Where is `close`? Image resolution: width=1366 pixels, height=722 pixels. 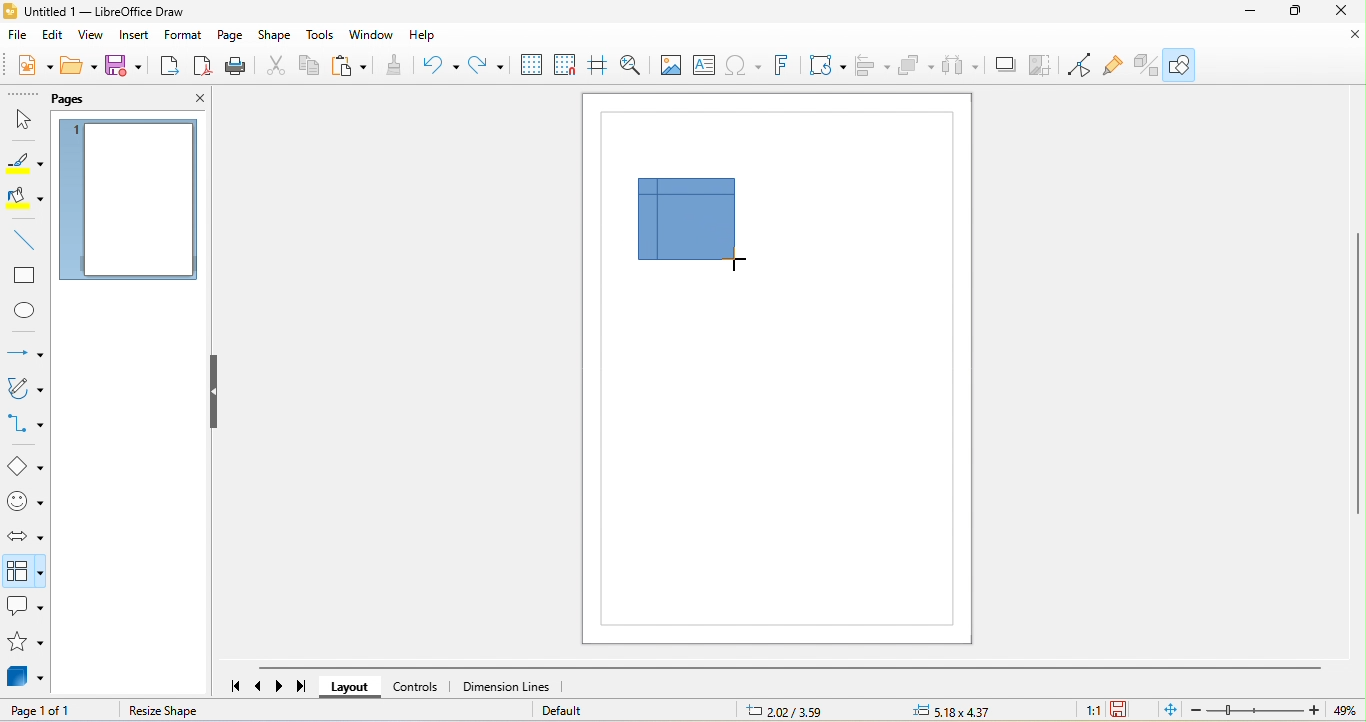
close is located at coordinates (1343, 15).